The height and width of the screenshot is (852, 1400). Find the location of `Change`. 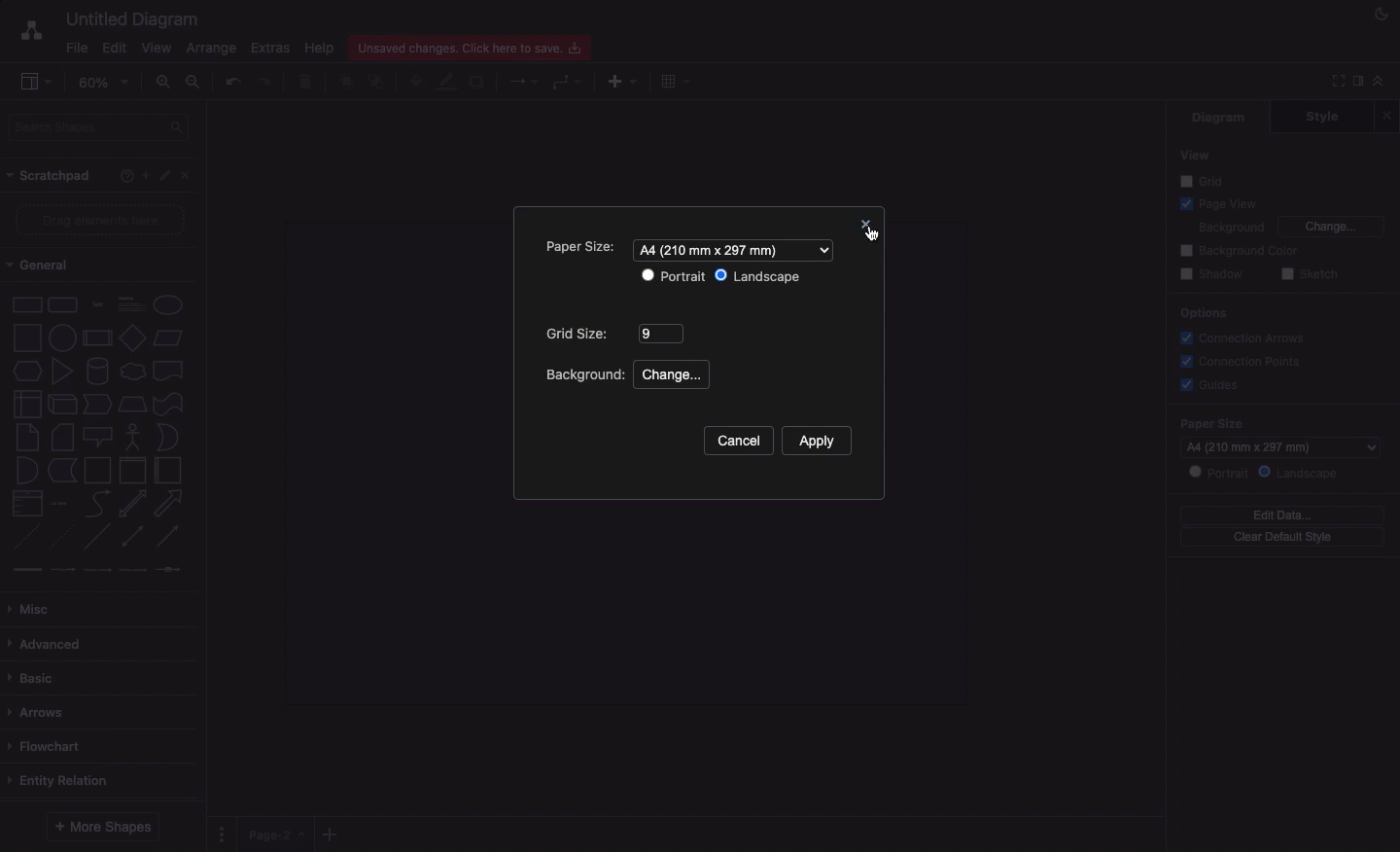

Change is located at coordinates (1333, 227).